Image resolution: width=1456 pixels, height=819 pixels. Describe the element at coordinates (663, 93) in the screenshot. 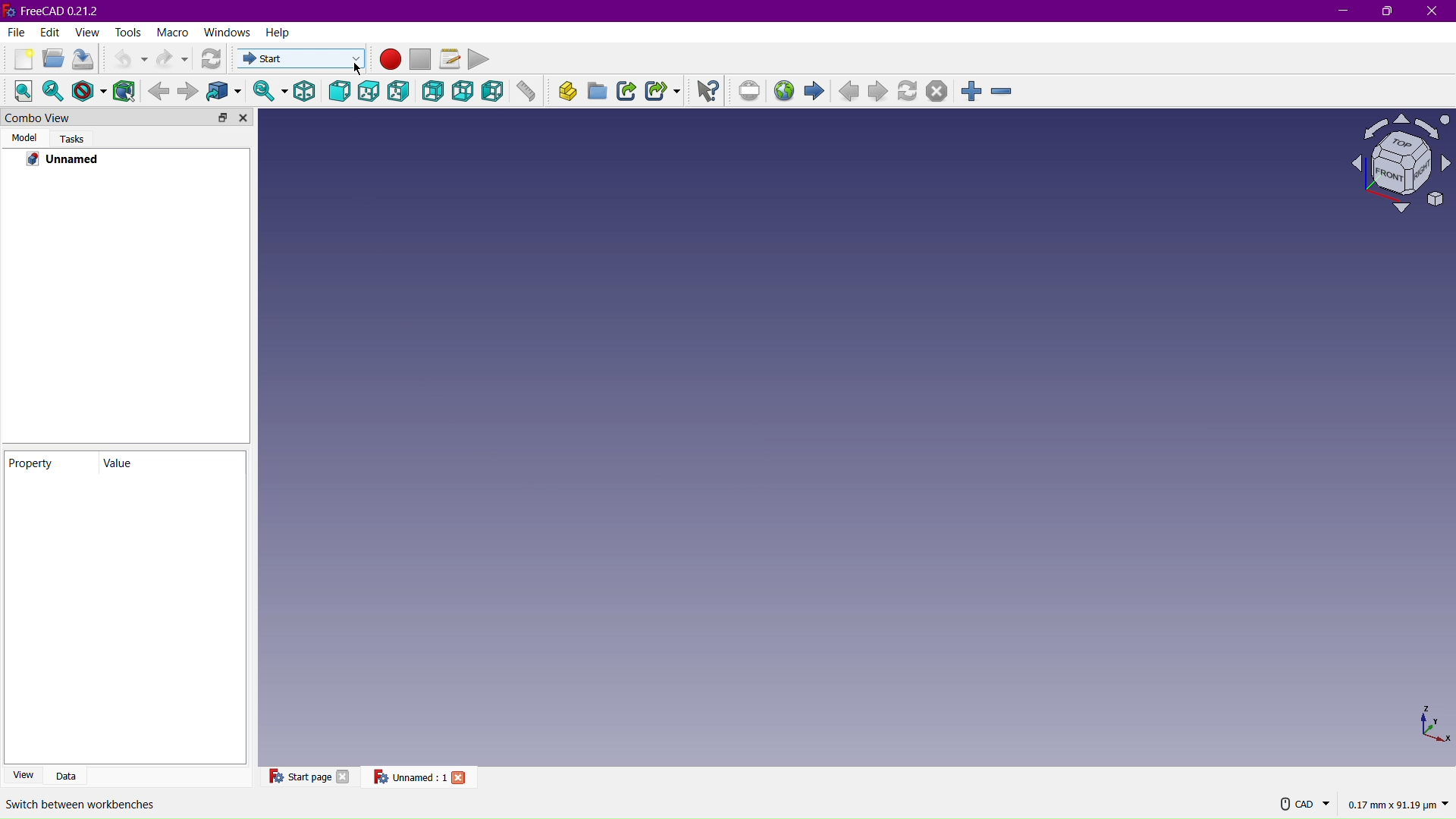

I see `Sublink` at that location.